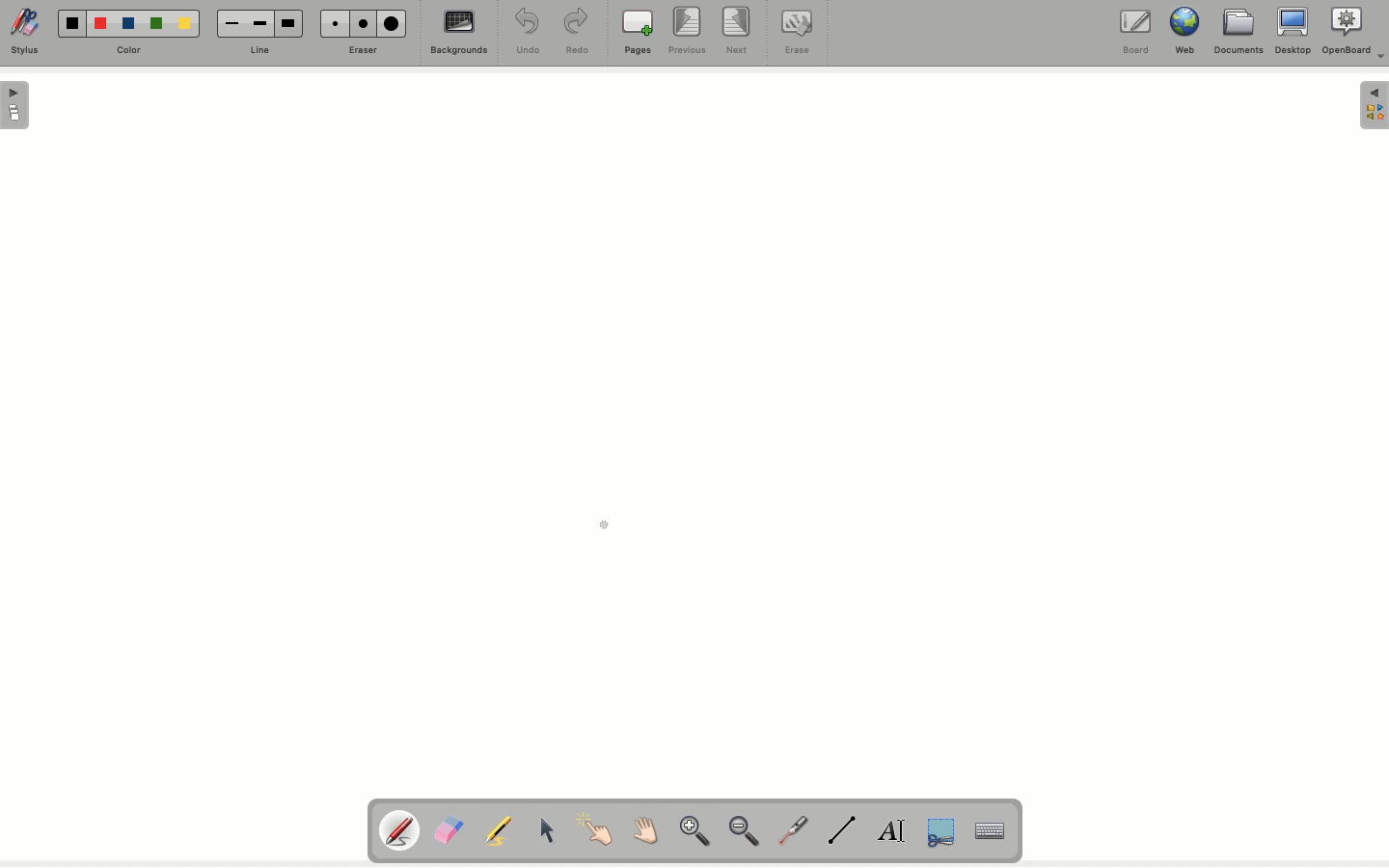 The image size is (1389, 868). I want to click on cursor, so click(607, 530).